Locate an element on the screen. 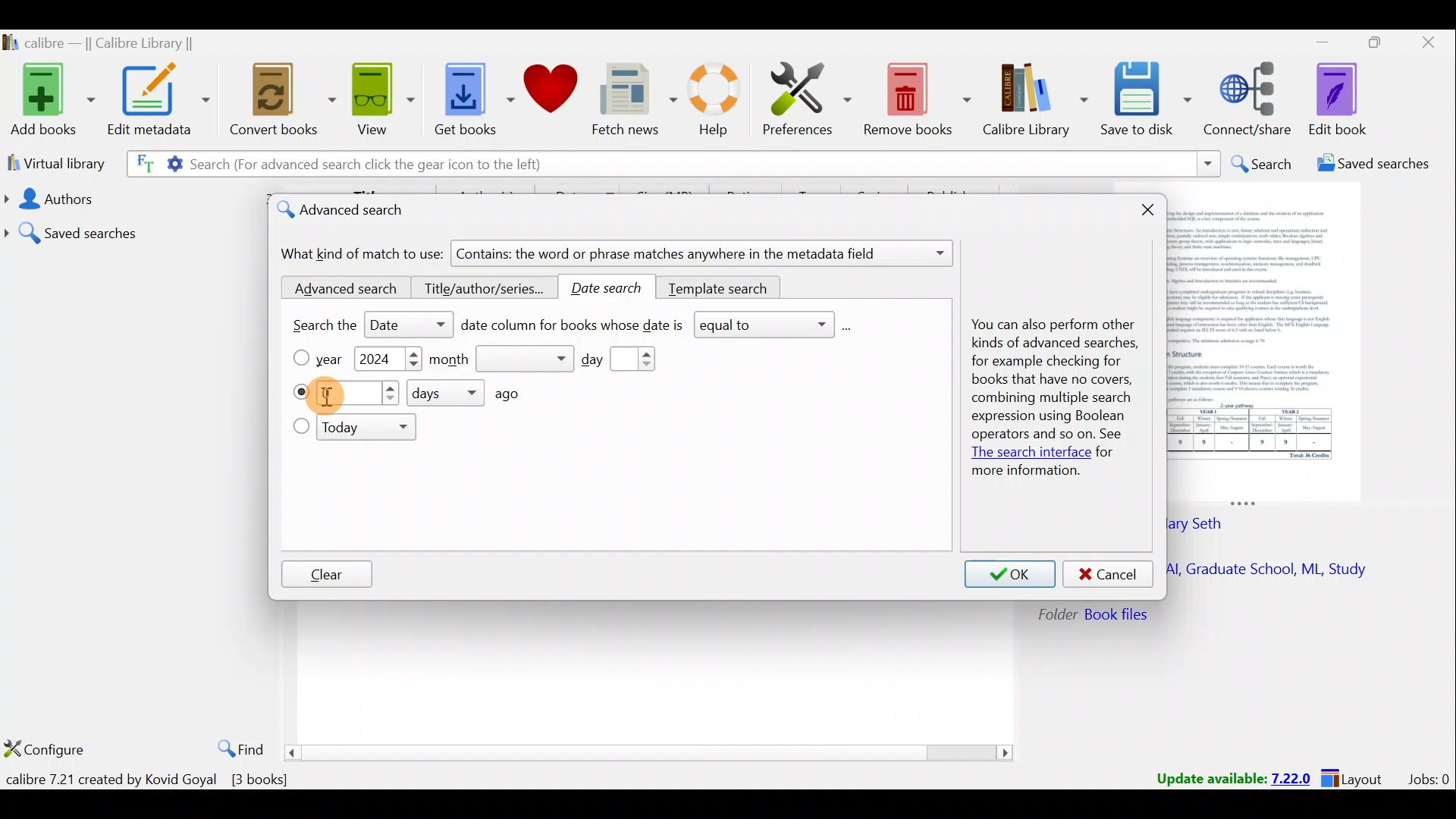  calibre — || Calibre Library || is located at coordinates (118, 42).